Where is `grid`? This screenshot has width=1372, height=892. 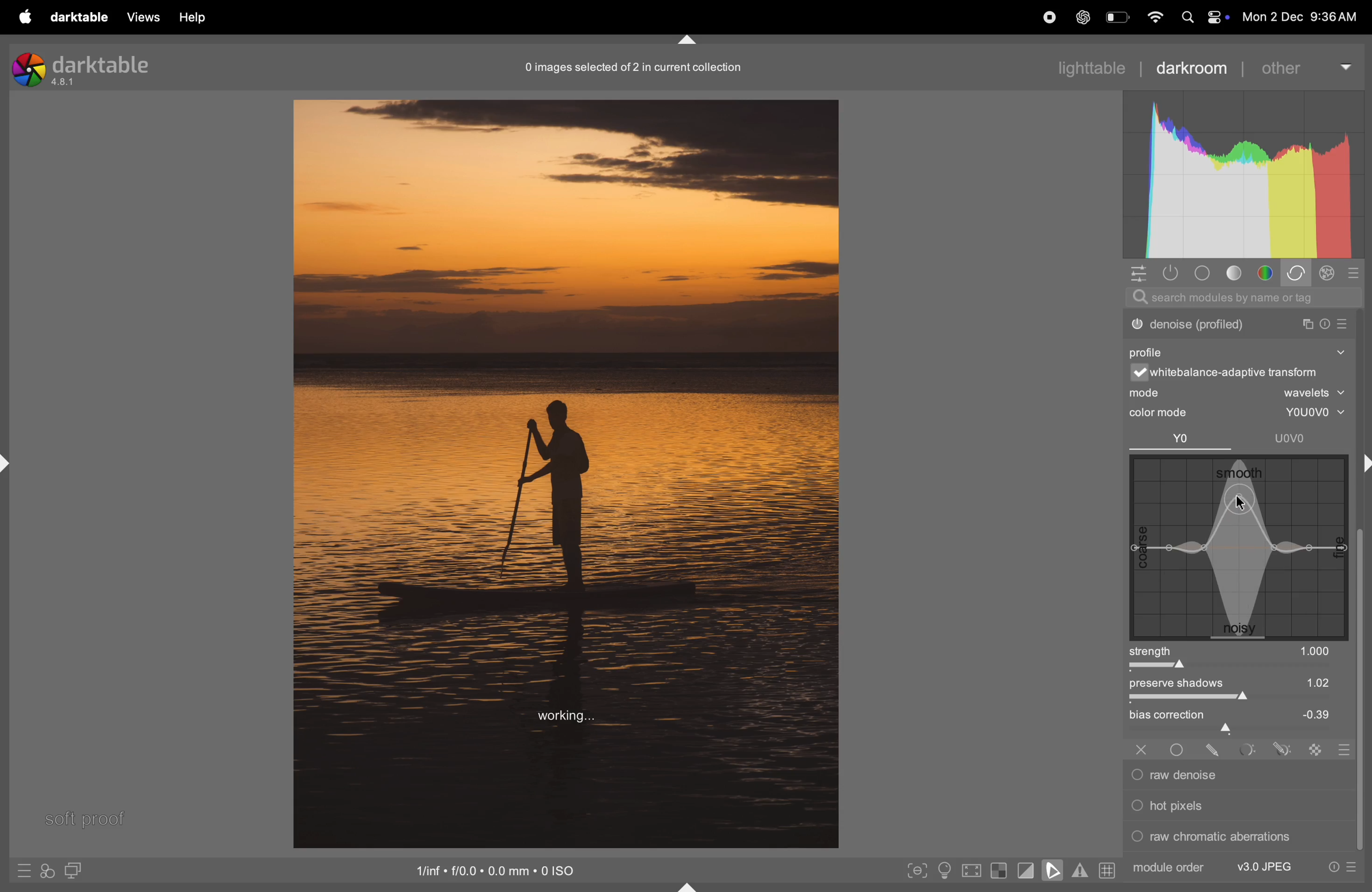
grid is located at coordinates (1106, 872).